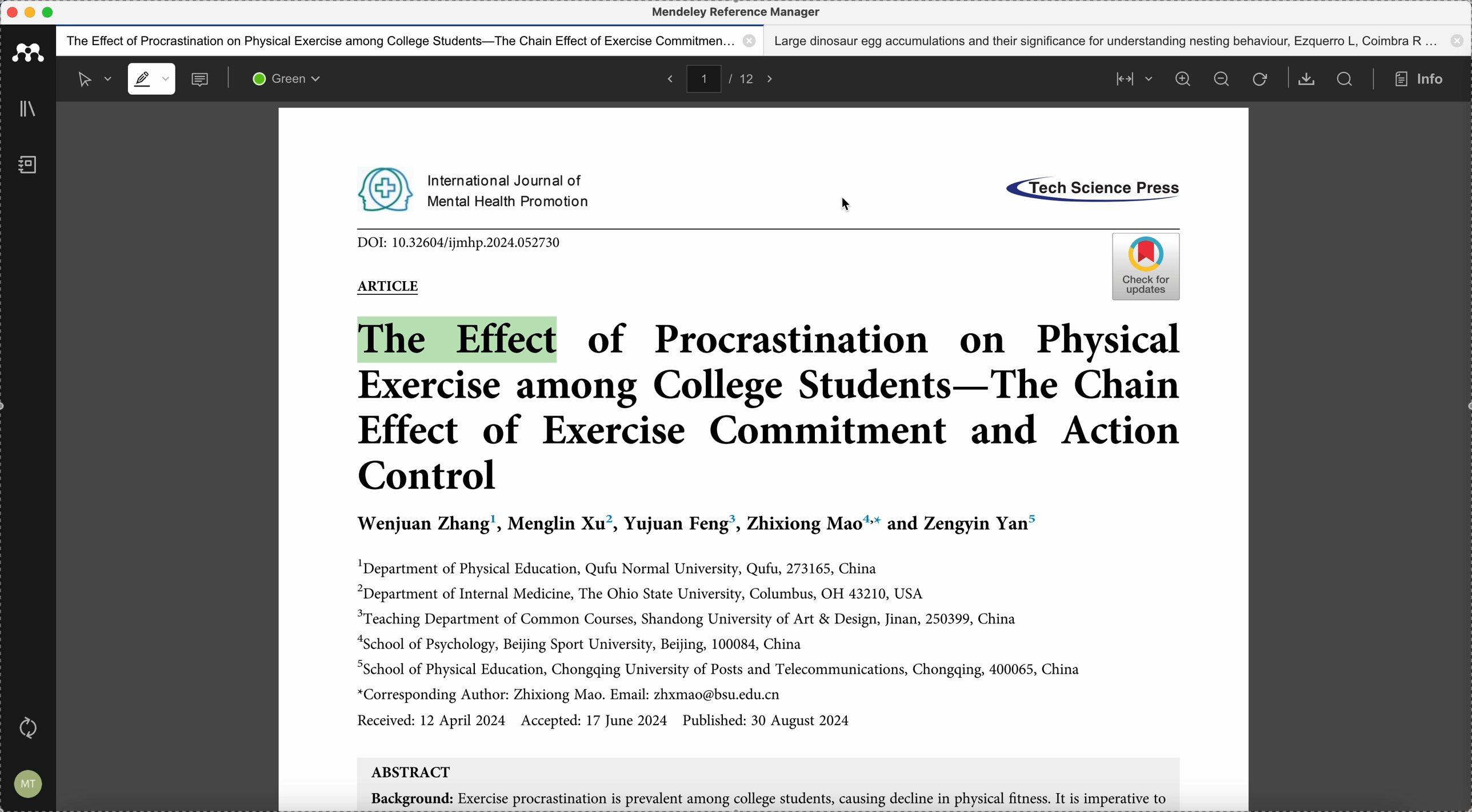 This screenshot has height=812, width=1472. Describe the element at coordinates (736, 12) in the screenshot. I see `Mendeley reference manager` at that location.